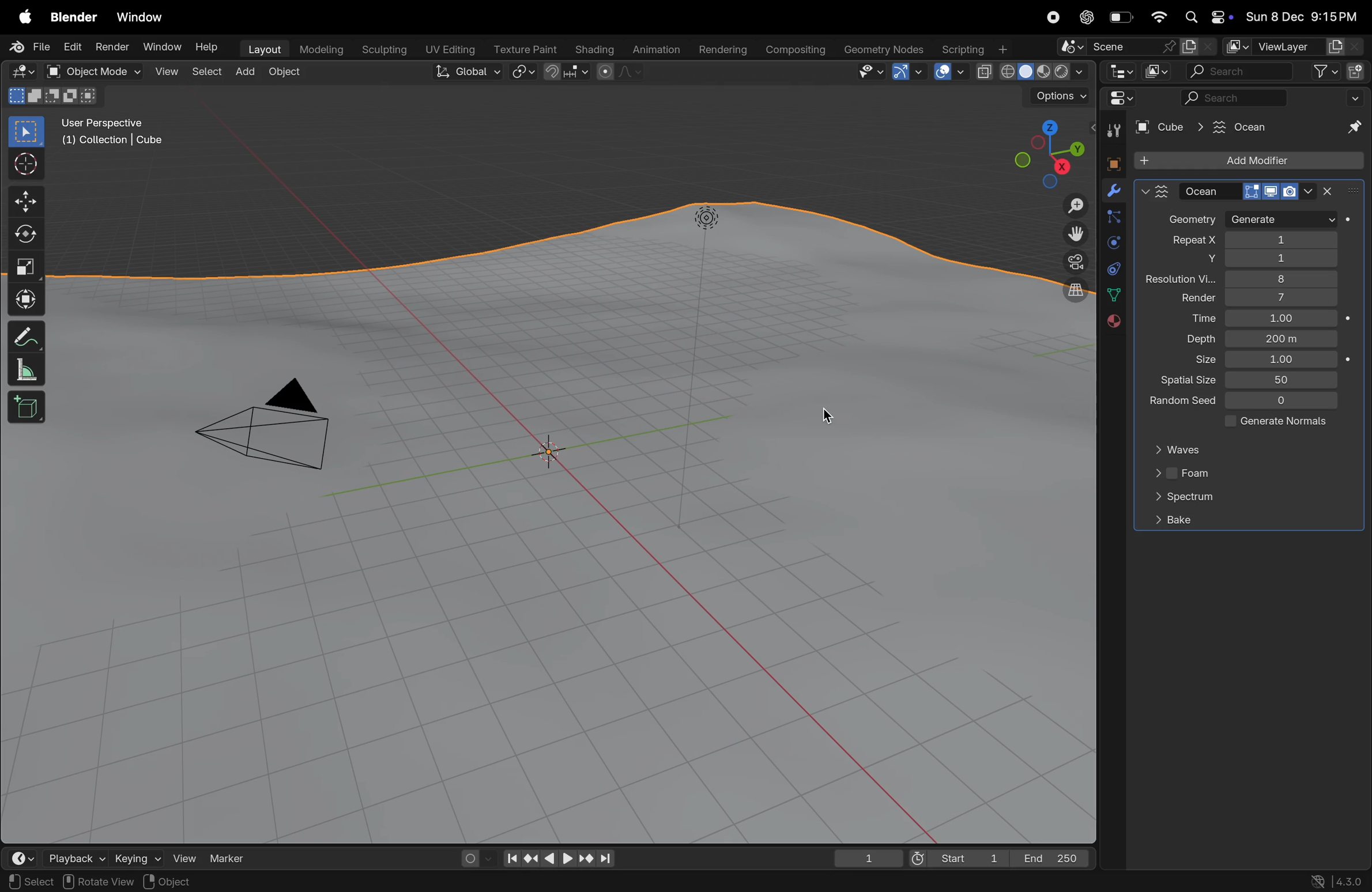 Image resolution: width=1372 pixels, height=892 pixels. Describe the element at coordinates (209, 71) in the screenshot. I see `select` at that location.